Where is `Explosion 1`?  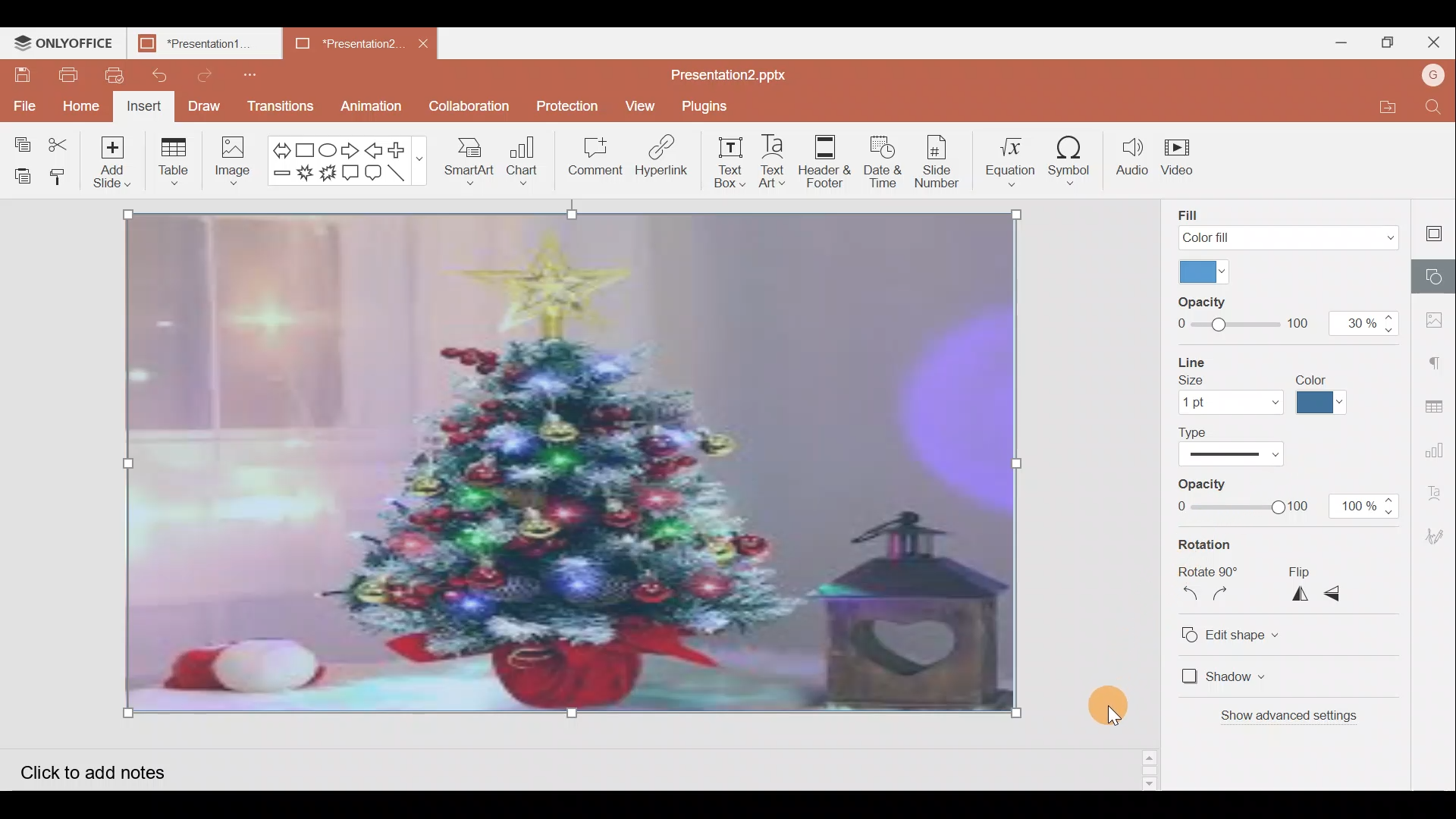 Explosion 1 is located at coordinates (305, 177).